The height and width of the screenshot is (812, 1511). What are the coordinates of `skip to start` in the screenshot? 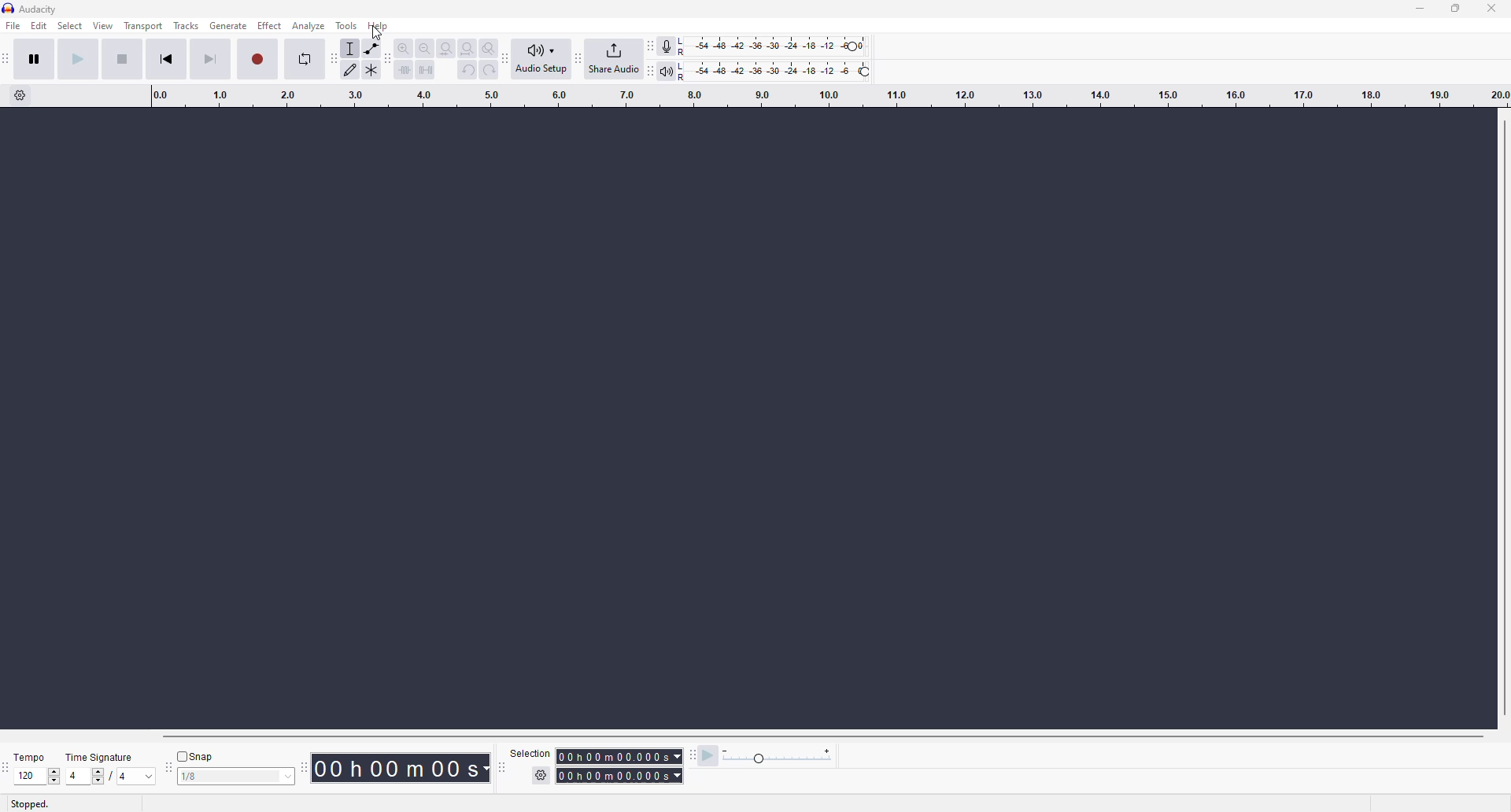 It's located at (175, 61).